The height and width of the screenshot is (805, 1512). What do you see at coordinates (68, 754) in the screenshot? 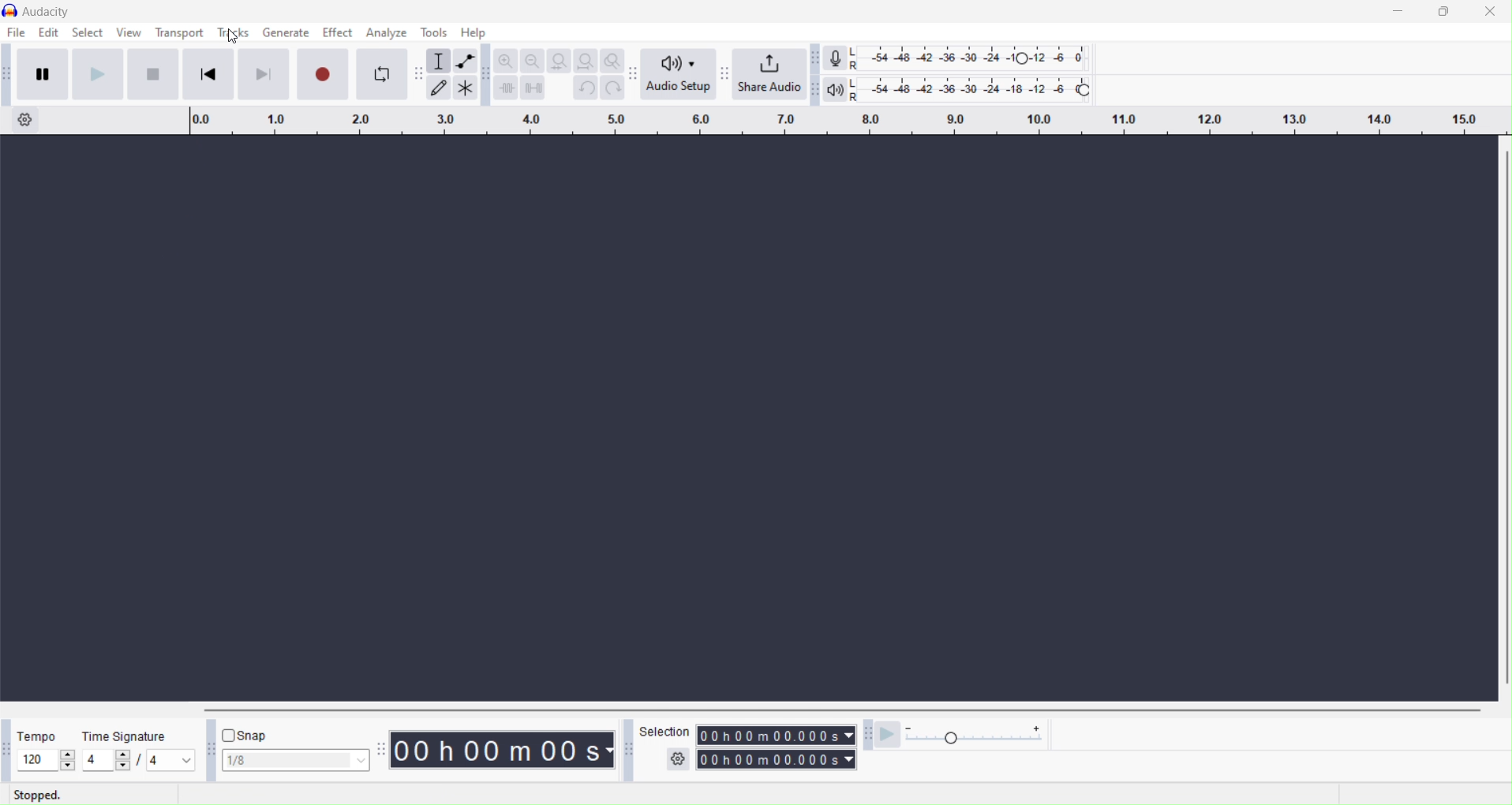
I see `increase tempo` at bounding box center [68, 754].